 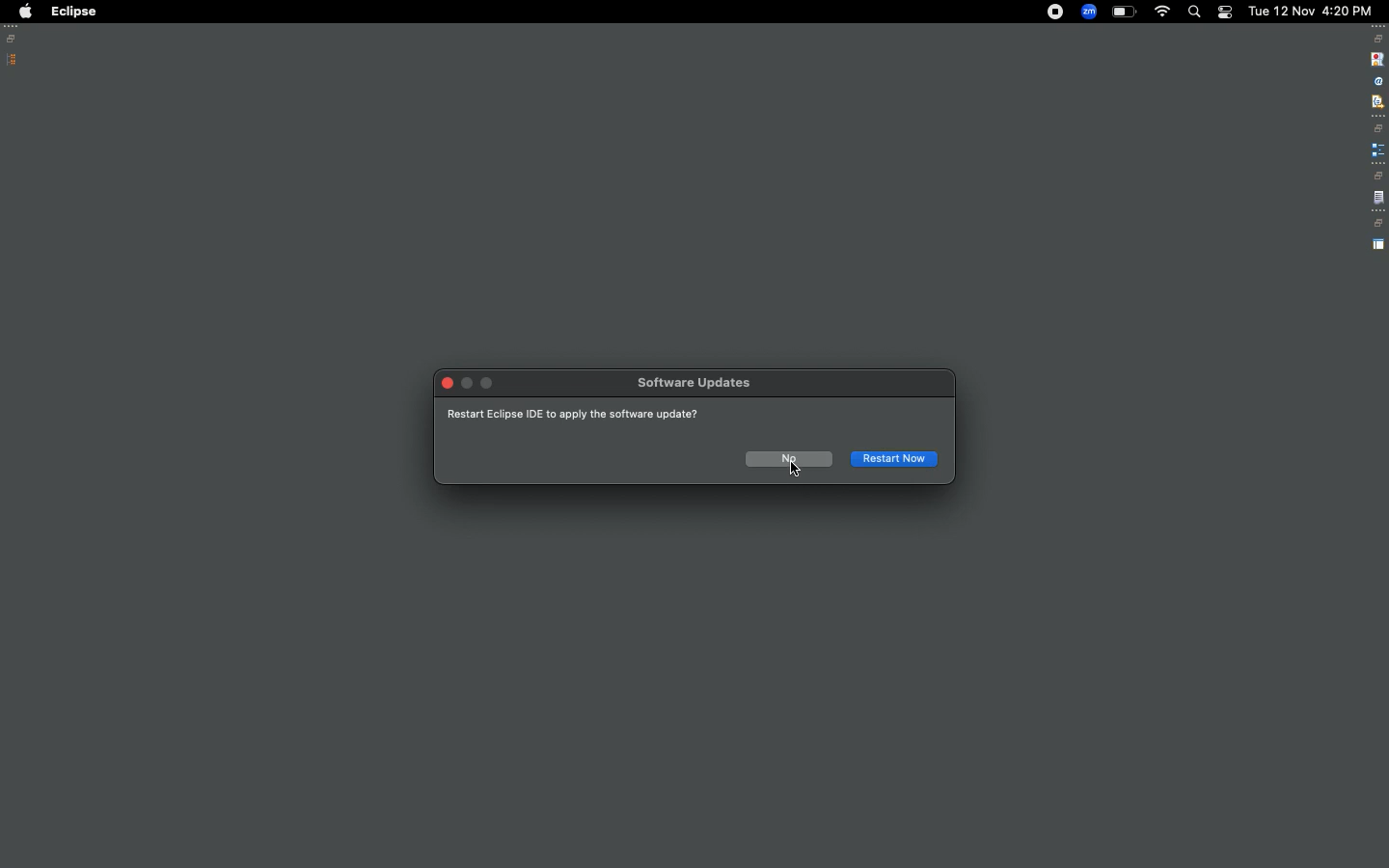 I want to click on perspective, so click(x=1378, y=245).